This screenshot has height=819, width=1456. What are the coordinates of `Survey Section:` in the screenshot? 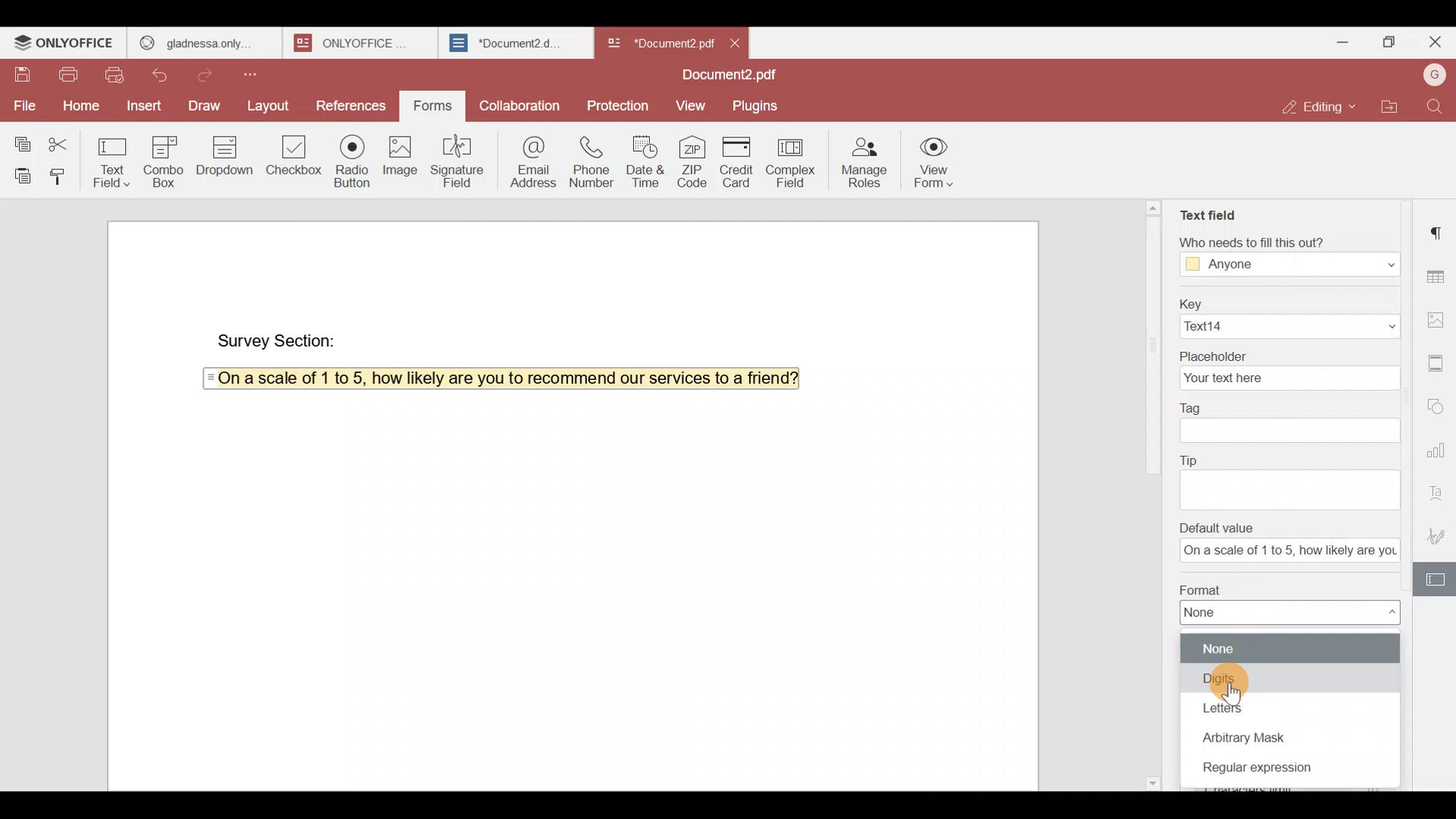 It's located at (280, 340).